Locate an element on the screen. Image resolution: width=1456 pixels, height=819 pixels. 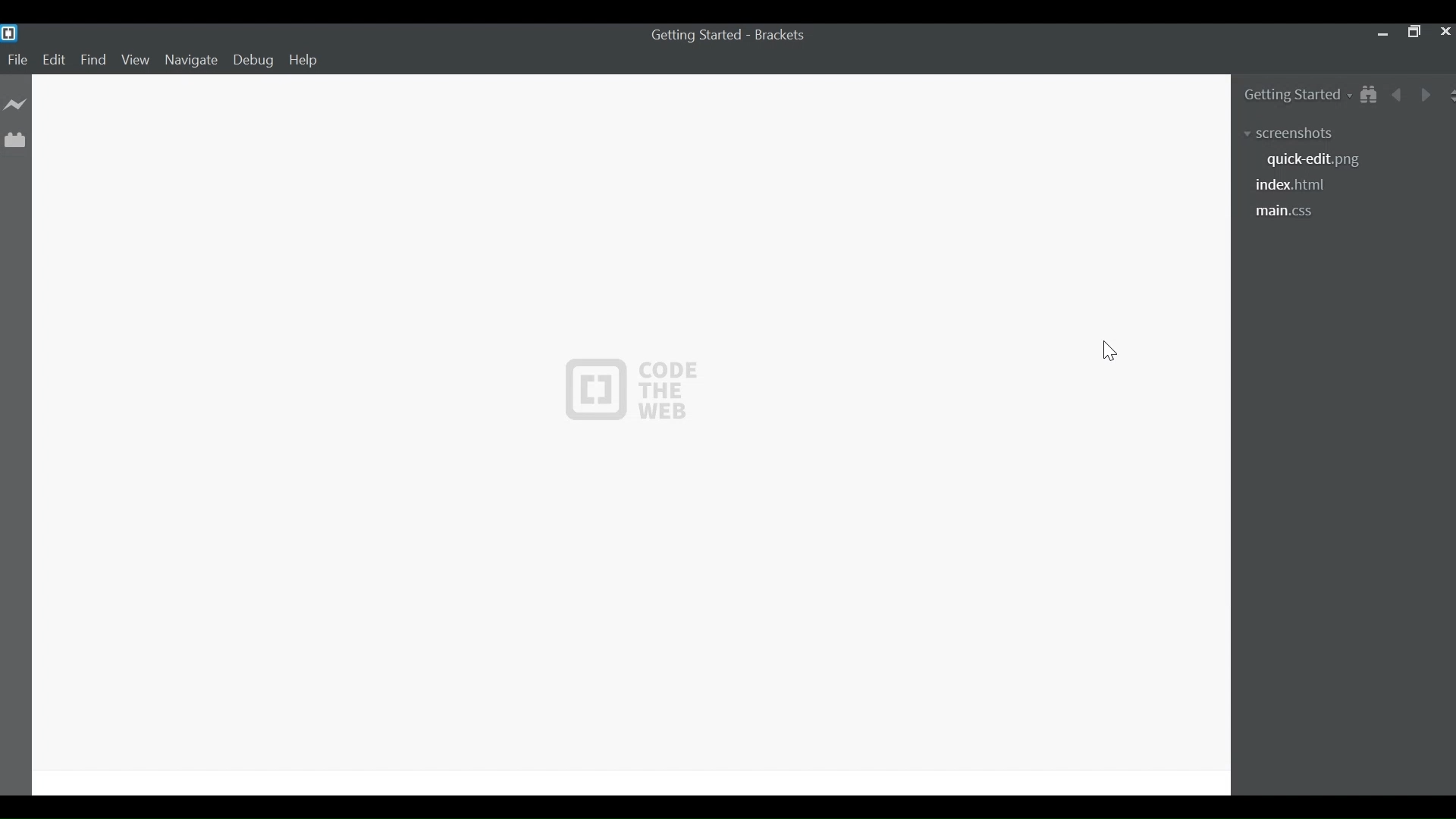
Navigate Forward is located at coordinates (1423, 93).